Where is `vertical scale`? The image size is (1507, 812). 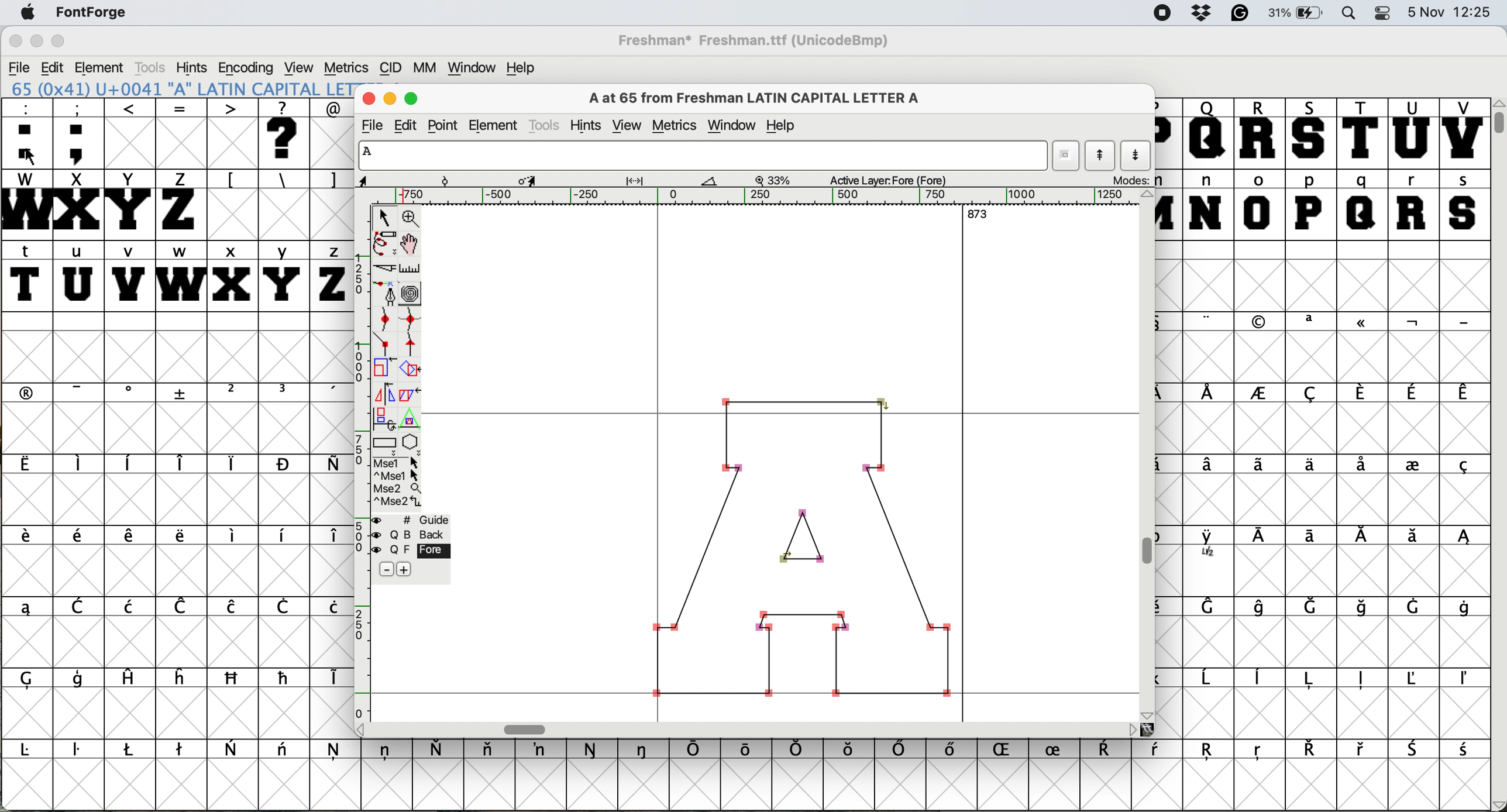 vertical scale is located at coordinates (357, 468).